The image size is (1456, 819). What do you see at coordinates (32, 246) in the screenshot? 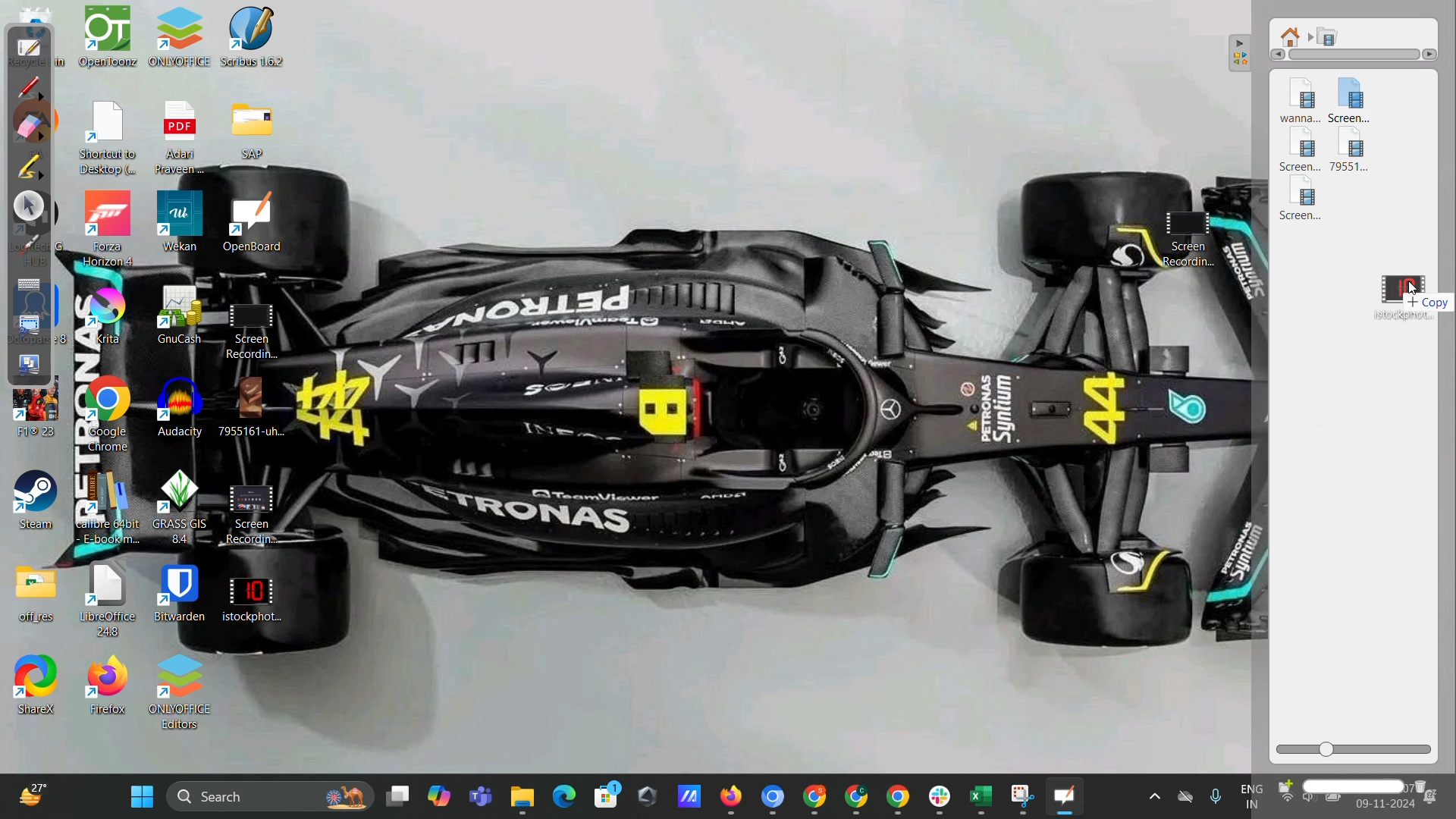
I see `virtual laser pointer` at bounding box center [32, 246].